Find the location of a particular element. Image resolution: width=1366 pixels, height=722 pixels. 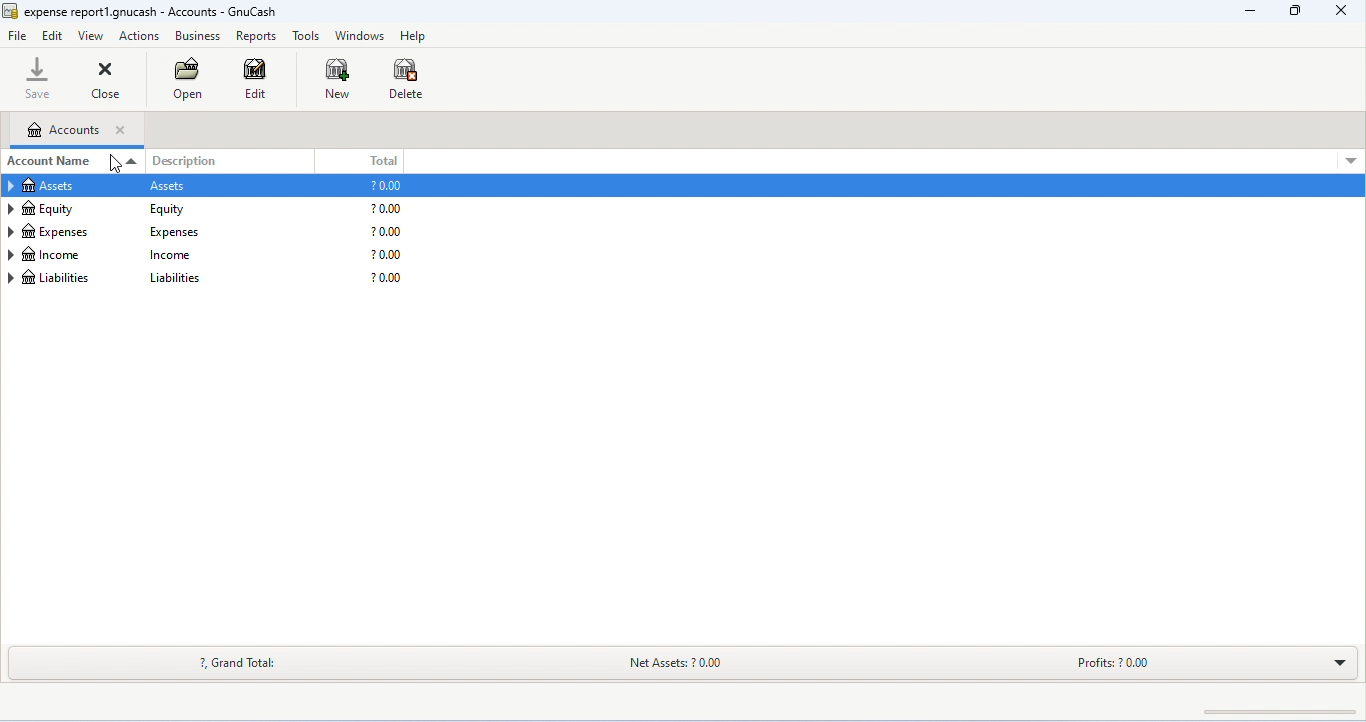

expenses is located at coordinates (56, 232).